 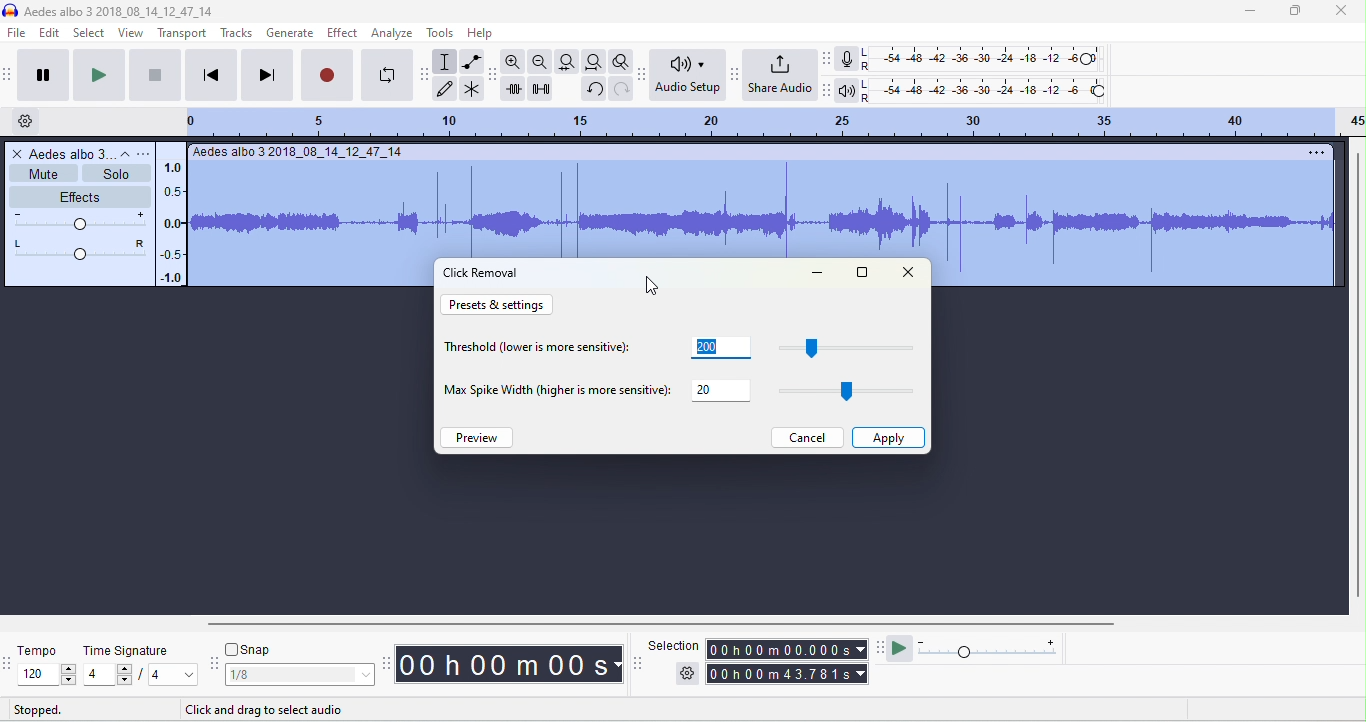 I want to click on , so click(x=88, y=154).